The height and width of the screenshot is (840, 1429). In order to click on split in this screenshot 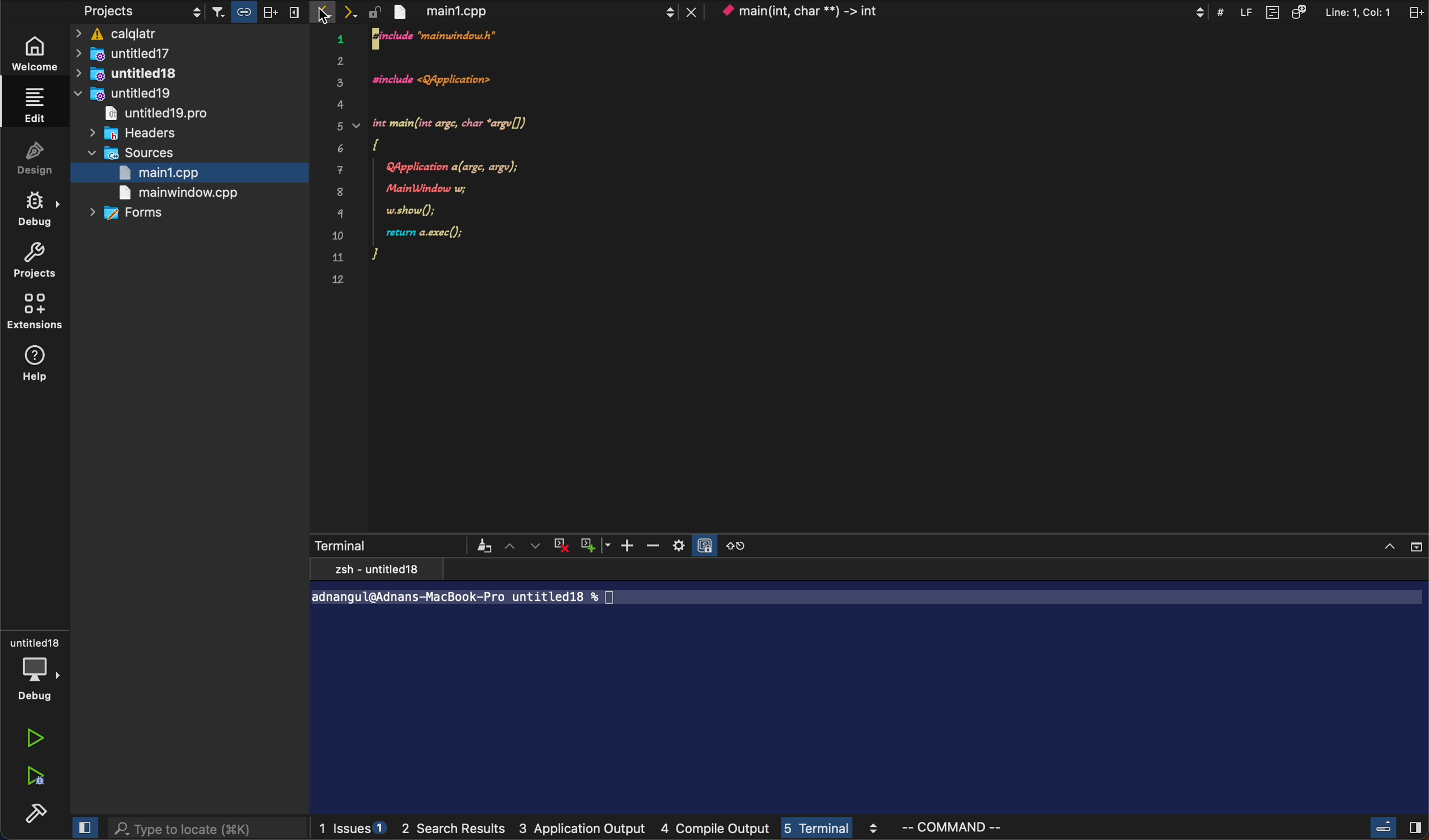, I will do `click(1325, 11)`.